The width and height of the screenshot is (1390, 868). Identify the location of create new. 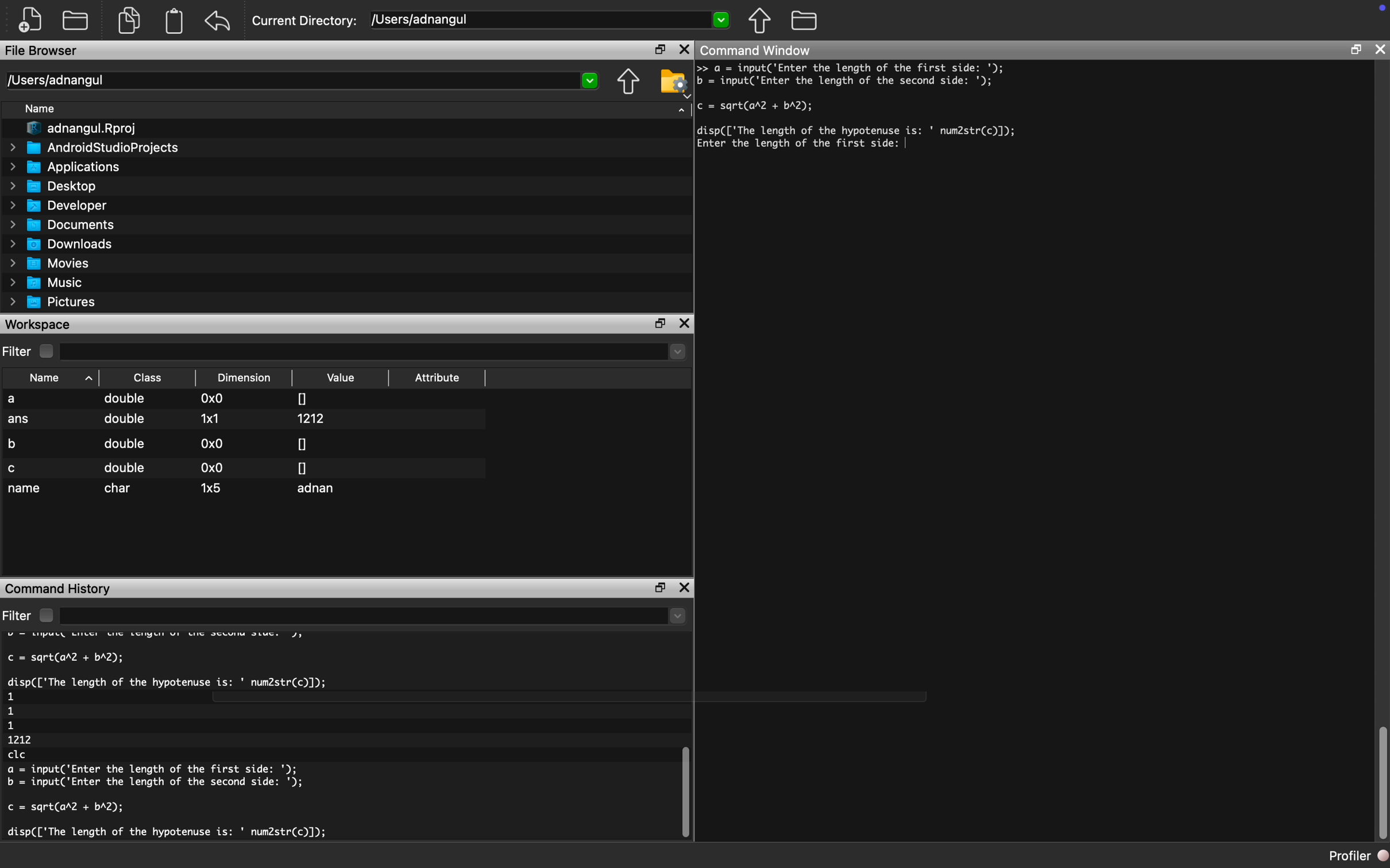
(34, 20).